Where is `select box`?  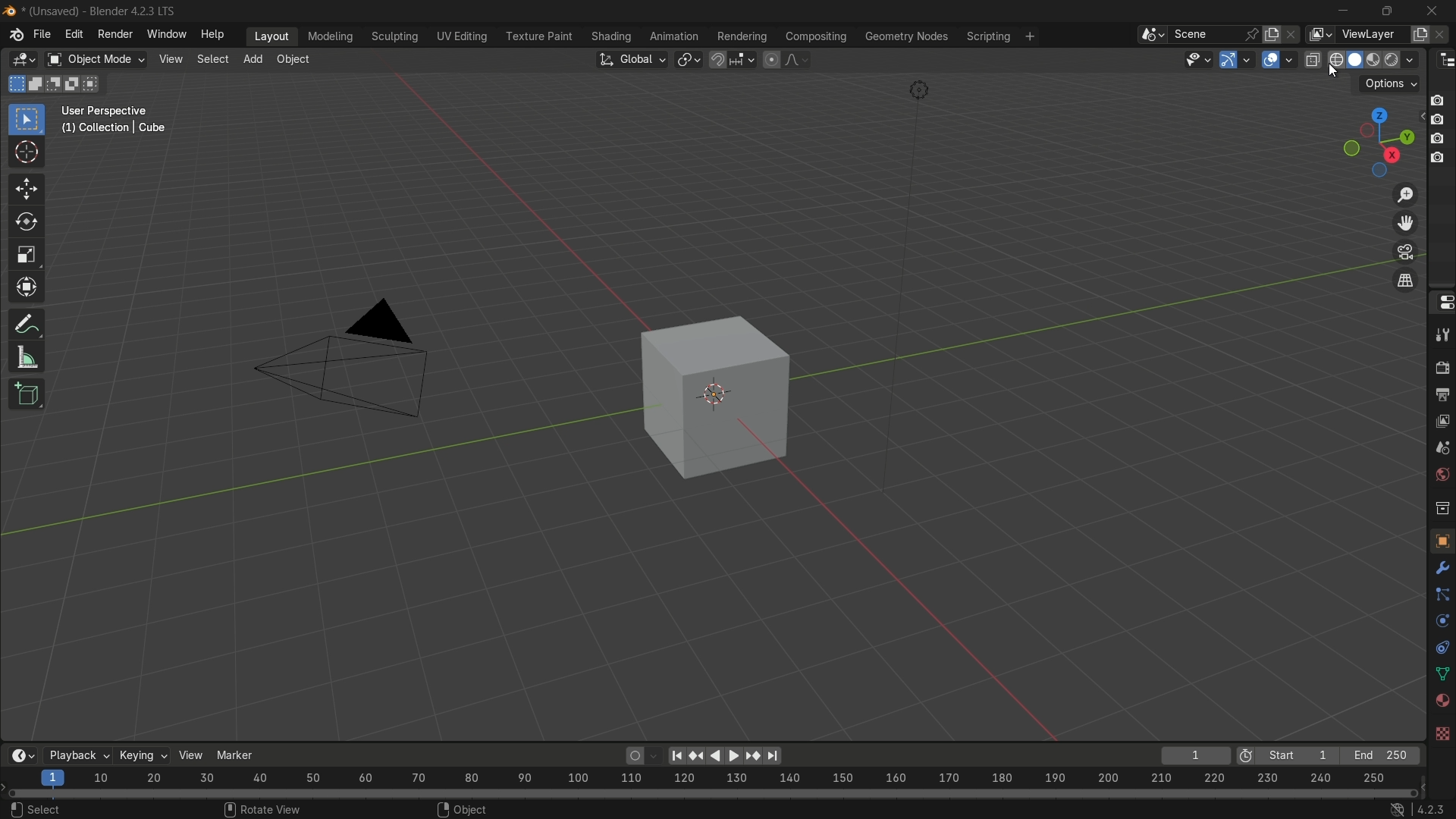 select box is located at coordinates (28, 119).